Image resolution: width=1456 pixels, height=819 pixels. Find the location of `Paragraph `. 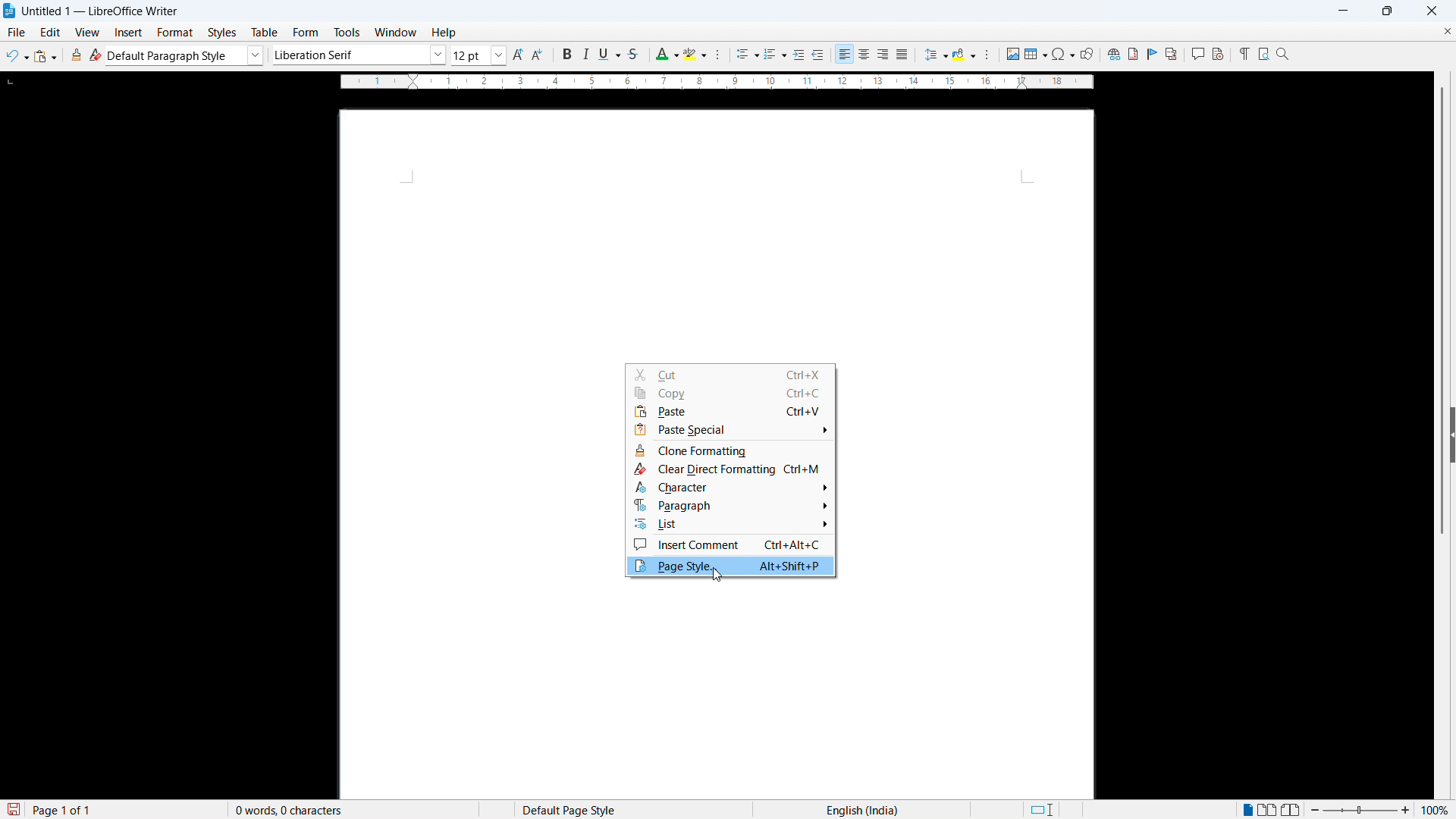

Paragraph  is located at coordinates (986, 55).